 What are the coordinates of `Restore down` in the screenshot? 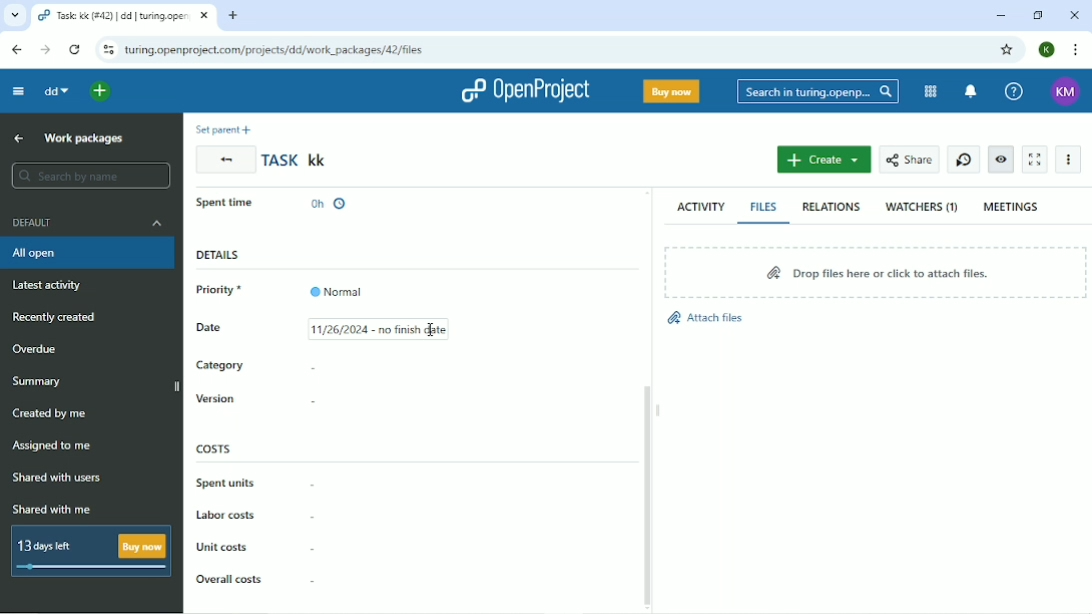 It's located at (1039, 16).